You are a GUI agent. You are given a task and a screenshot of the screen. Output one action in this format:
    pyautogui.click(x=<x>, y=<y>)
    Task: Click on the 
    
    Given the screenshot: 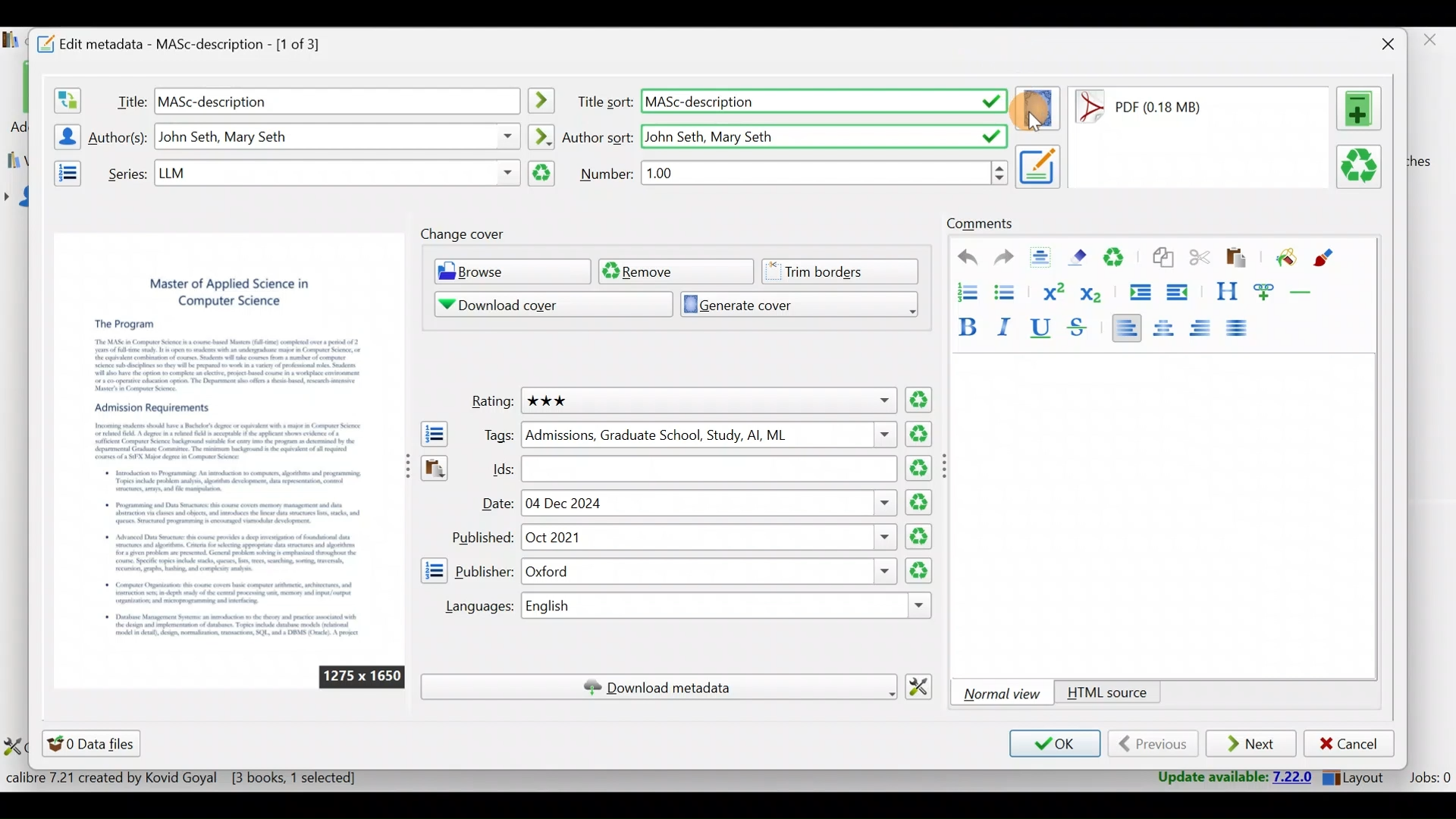 What is the action you would take?
    pyautogui.click(x=707, y=400)
    